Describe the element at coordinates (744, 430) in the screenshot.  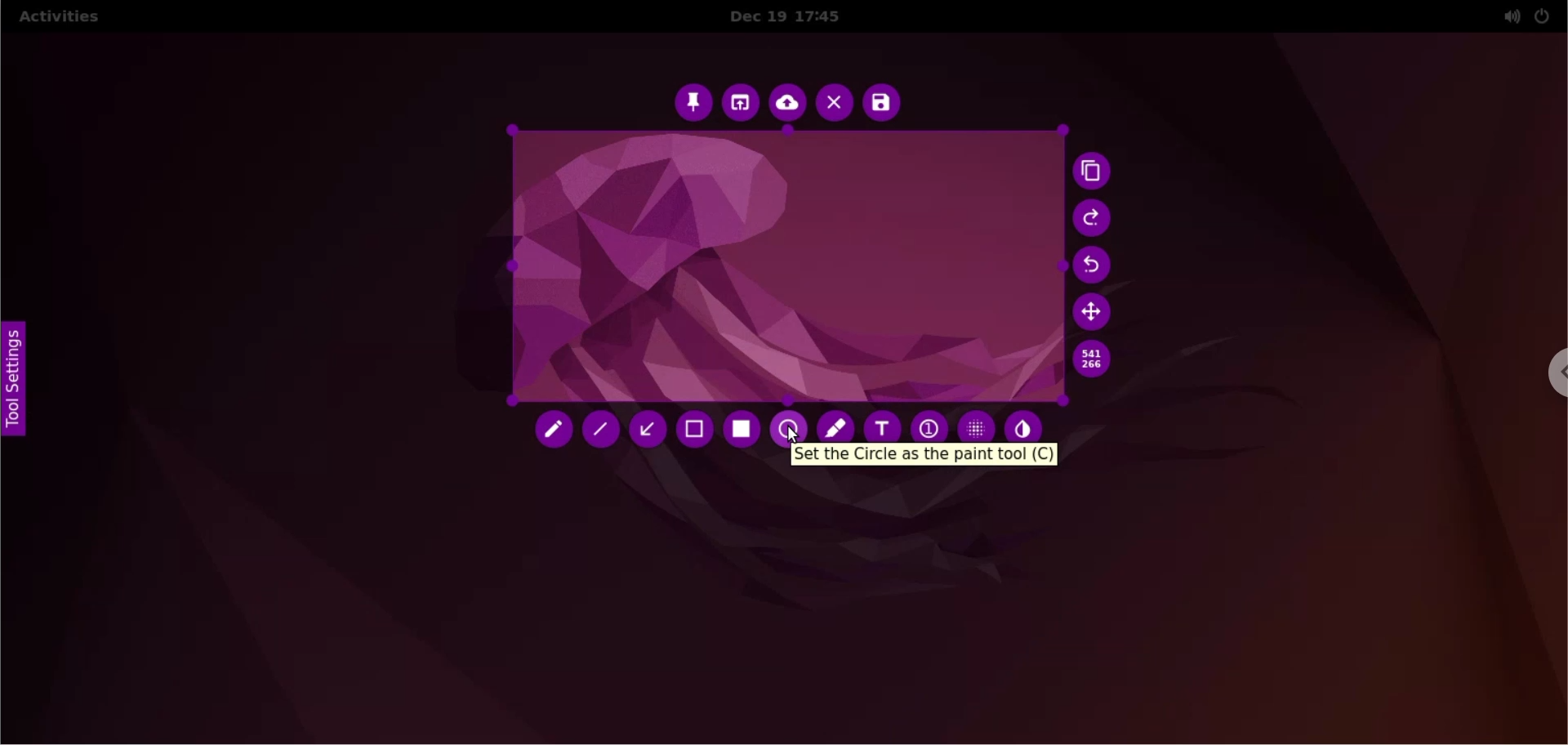
I see `rectangle tool` at that location.